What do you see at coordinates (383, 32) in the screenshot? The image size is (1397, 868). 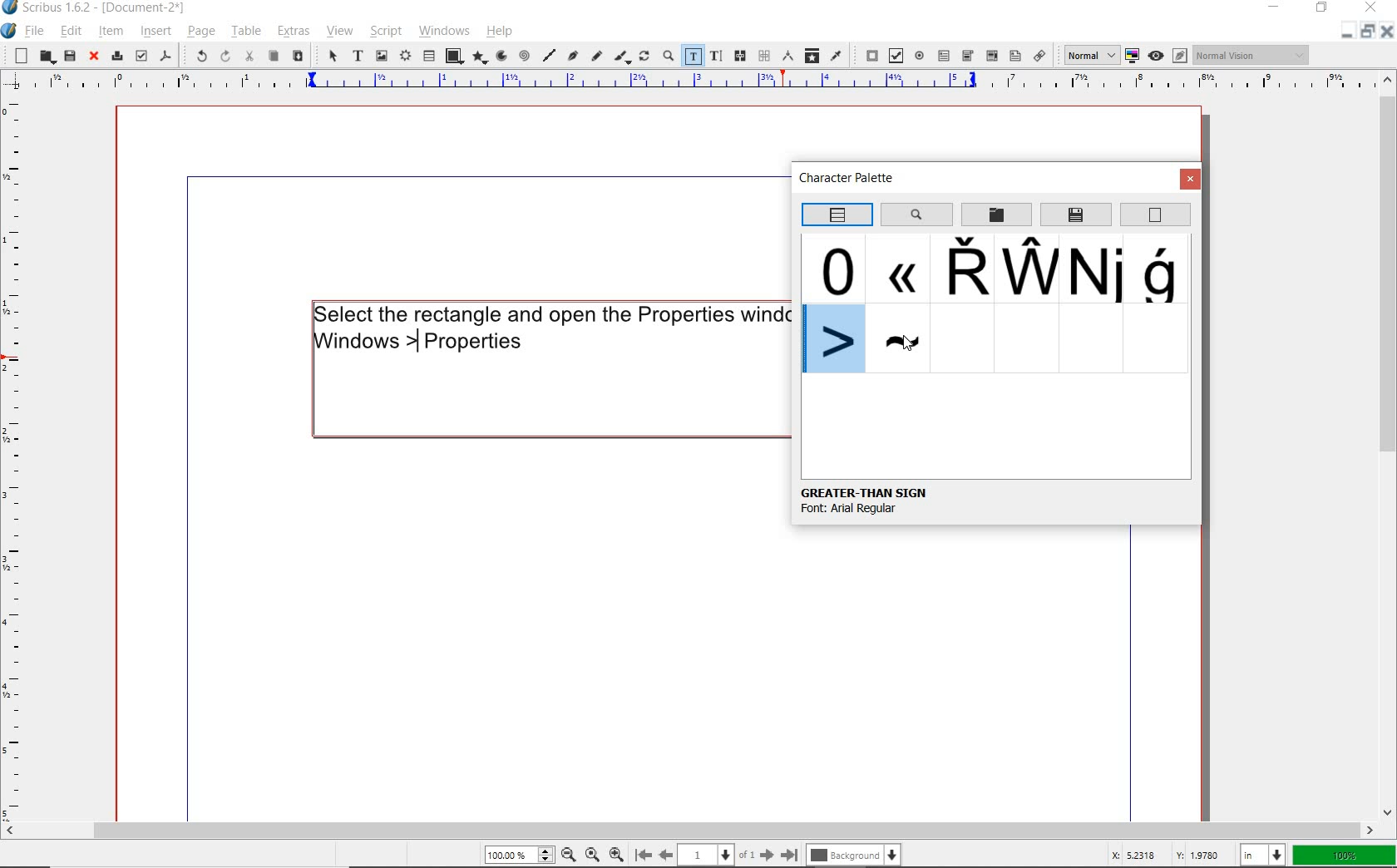 I see `script` at bounding box center [383, 32].